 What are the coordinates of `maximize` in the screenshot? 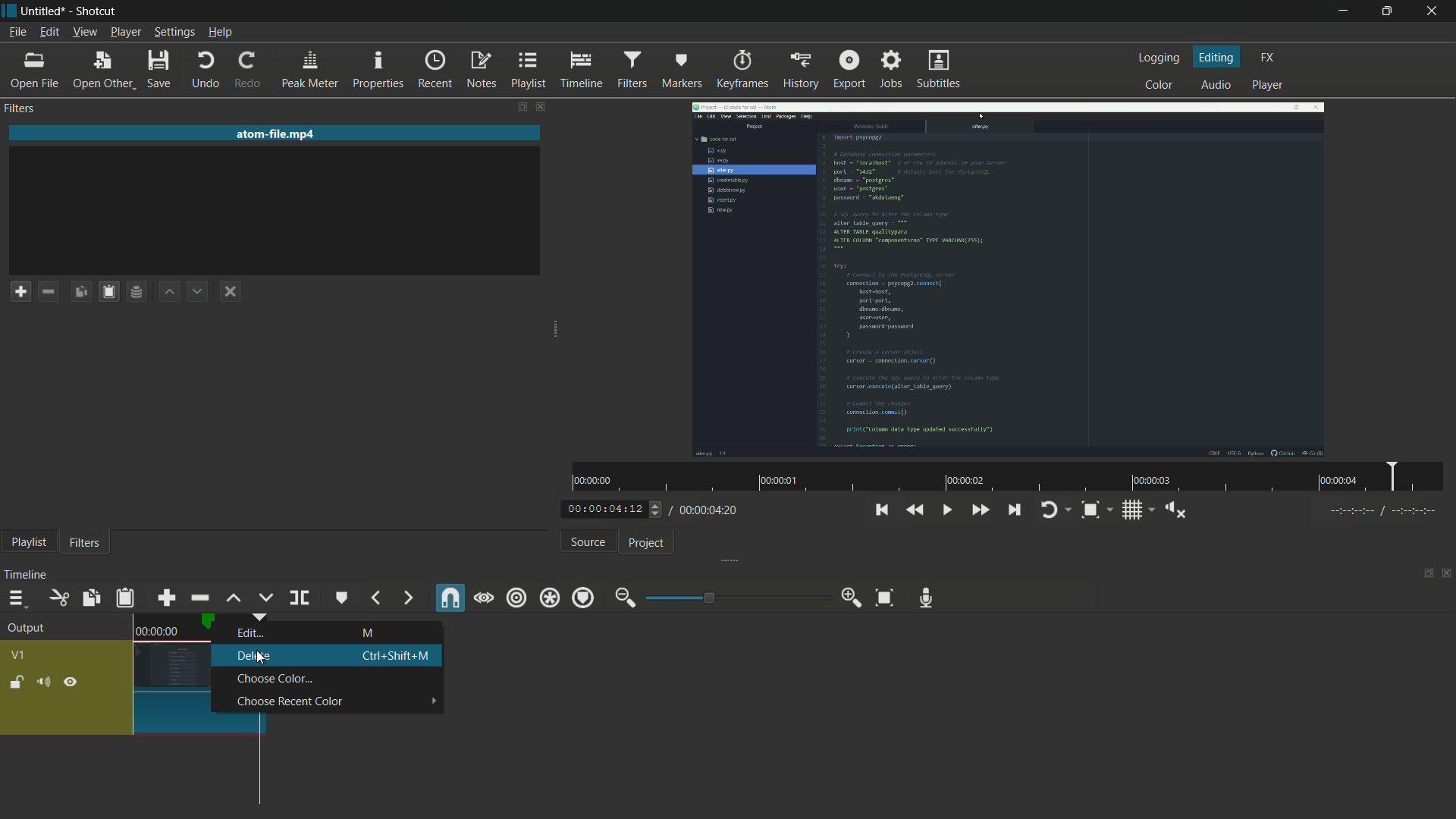 It's located at (1390, 11).